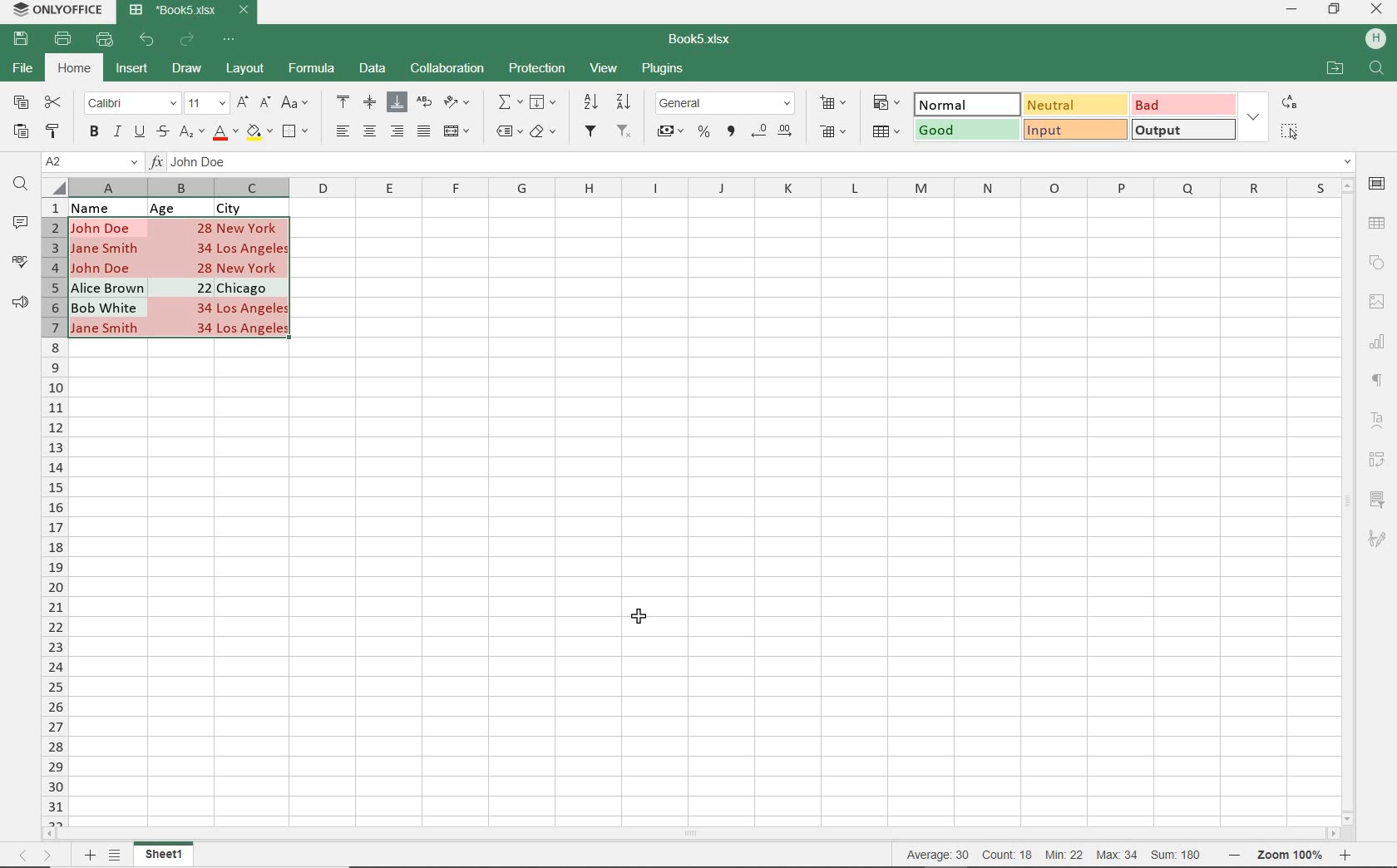  I want to click on CONDITIONAL FORMATING, so click(886, 102).